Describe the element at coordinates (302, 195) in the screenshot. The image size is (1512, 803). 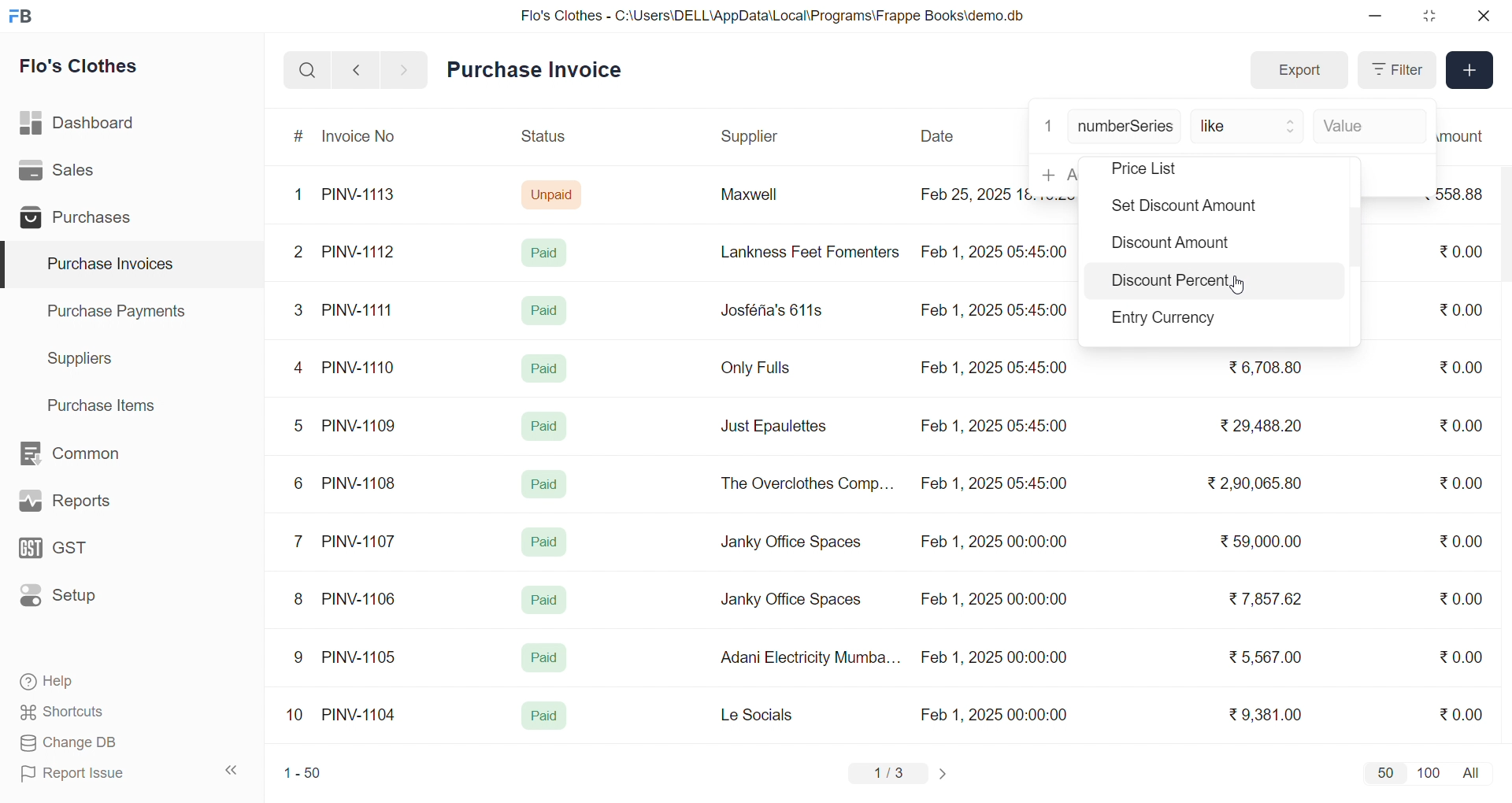
I see `1` at that location.